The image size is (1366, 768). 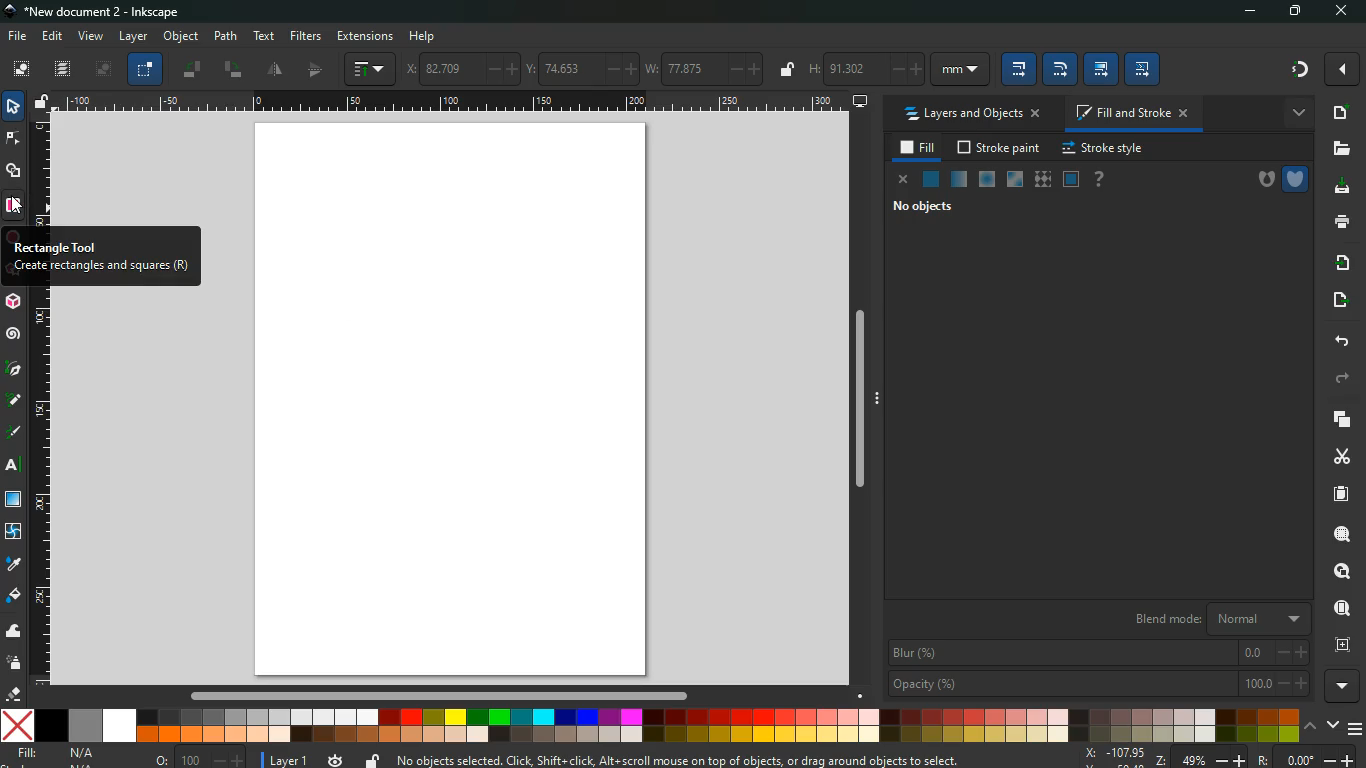 I want to click on maximize, so click(x=1295, y=13).